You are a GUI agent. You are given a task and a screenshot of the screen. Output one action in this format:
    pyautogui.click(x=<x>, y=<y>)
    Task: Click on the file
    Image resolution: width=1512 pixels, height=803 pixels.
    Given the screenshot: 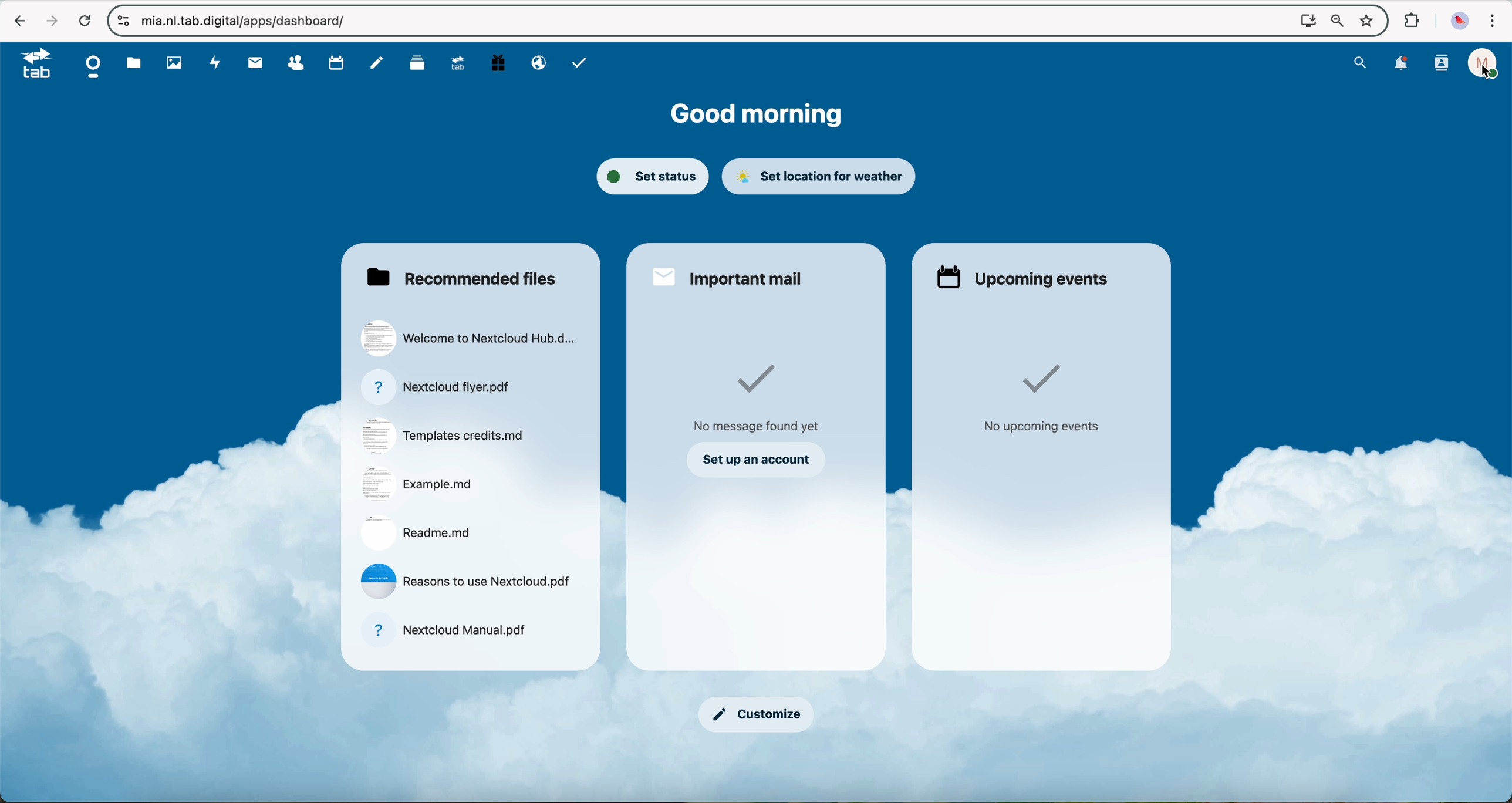 What is the action you would take?
    pyautogui.click(x=448, y=436)
    